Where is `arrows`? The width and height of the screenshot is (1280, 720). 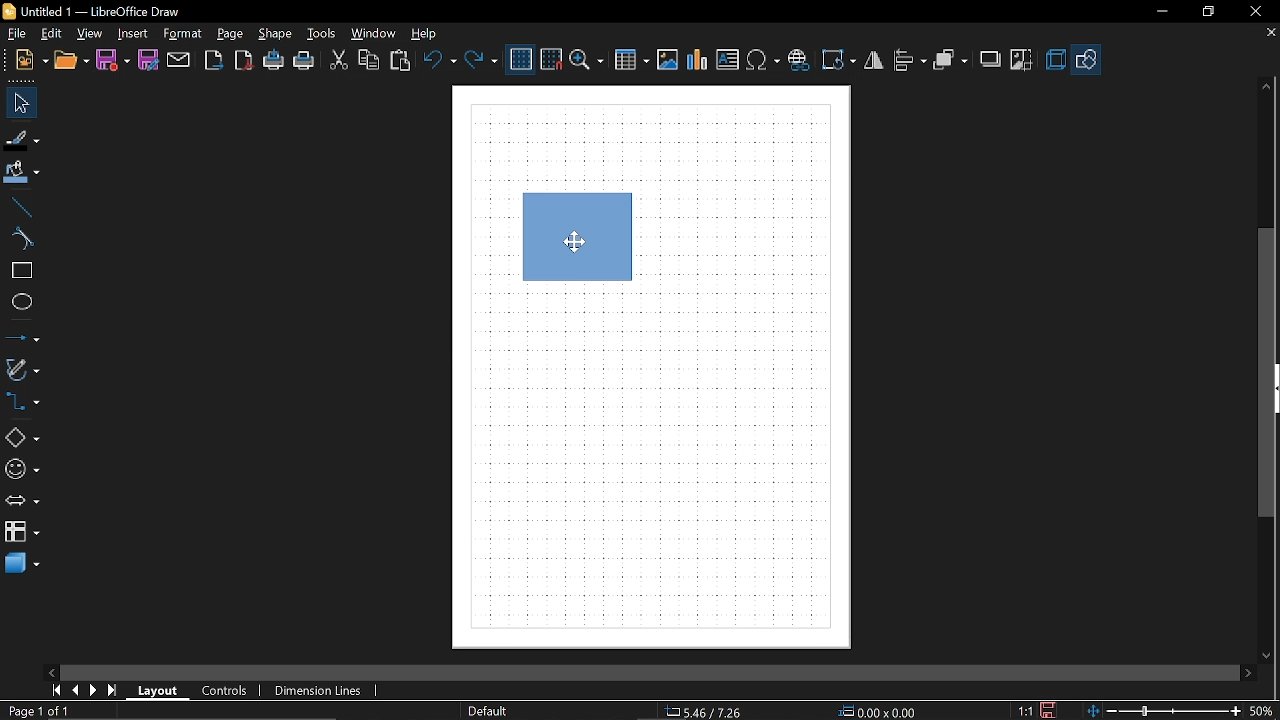 arrows is located at coordinates (22, 501).